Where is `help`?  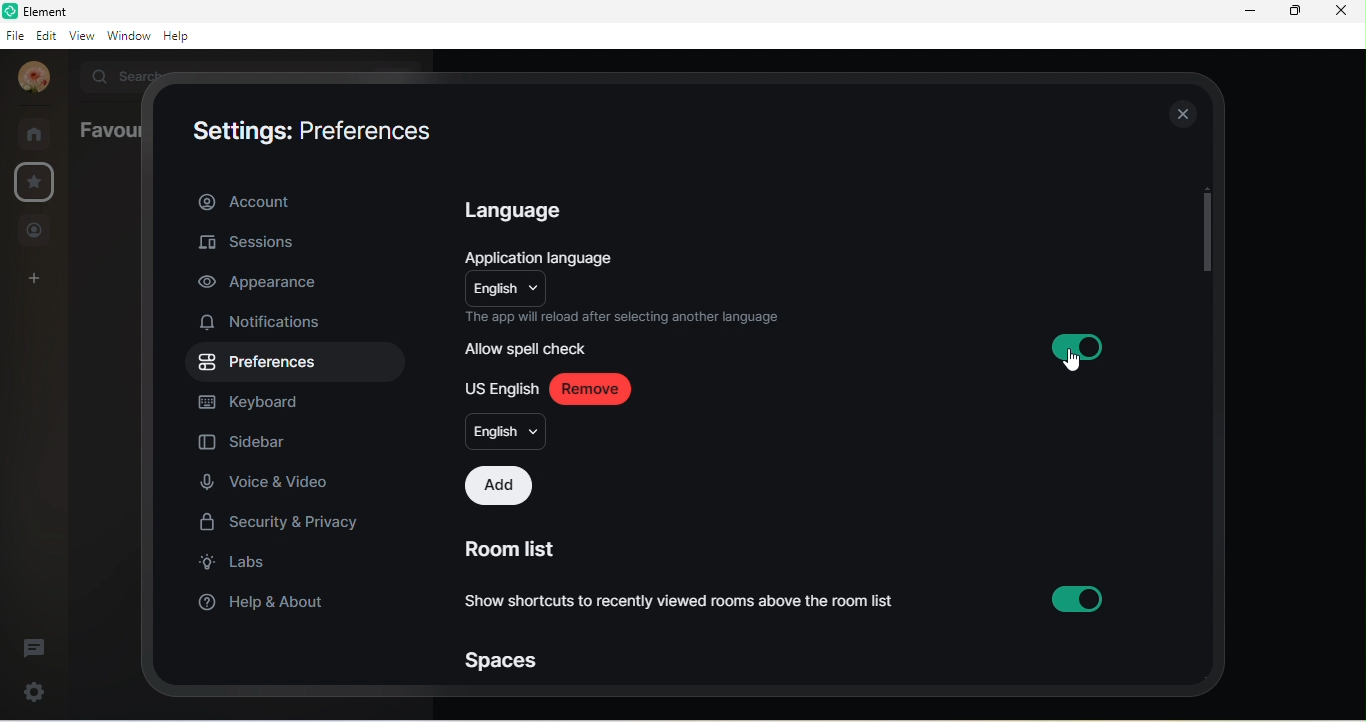 help is located at coordinates (179, 37).